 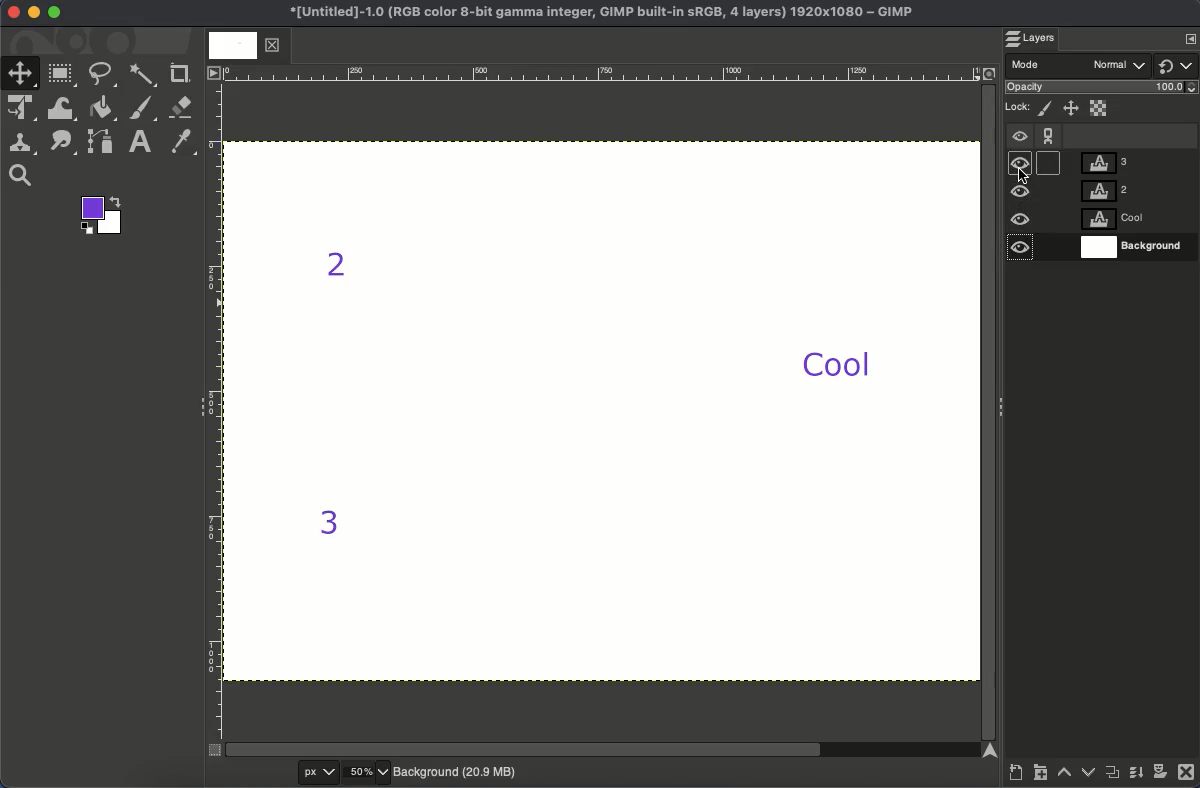 I want to click on Chain, so click(x=1049, y=131).